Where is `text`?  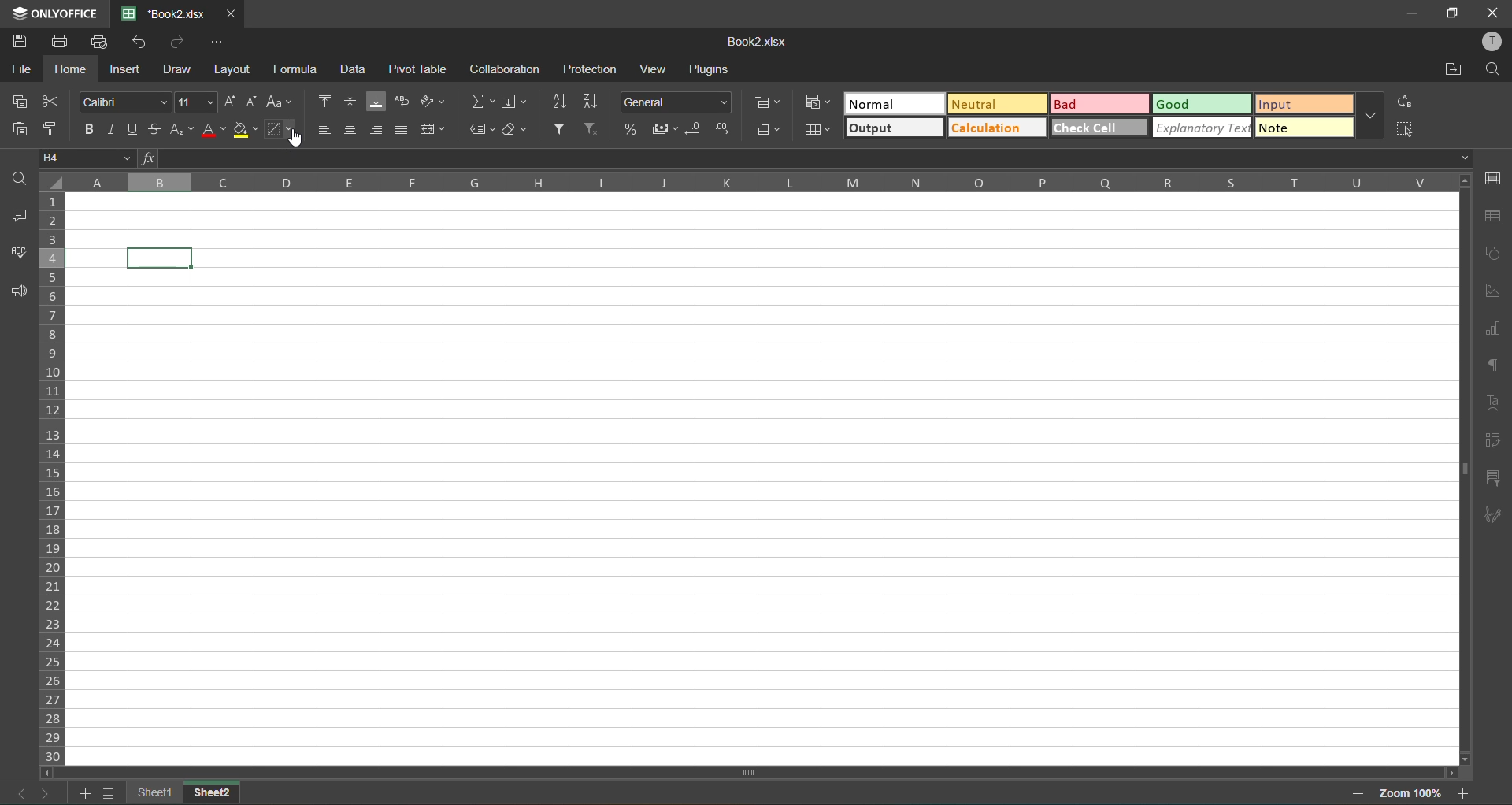
text is located at coordinates (1494, 402).